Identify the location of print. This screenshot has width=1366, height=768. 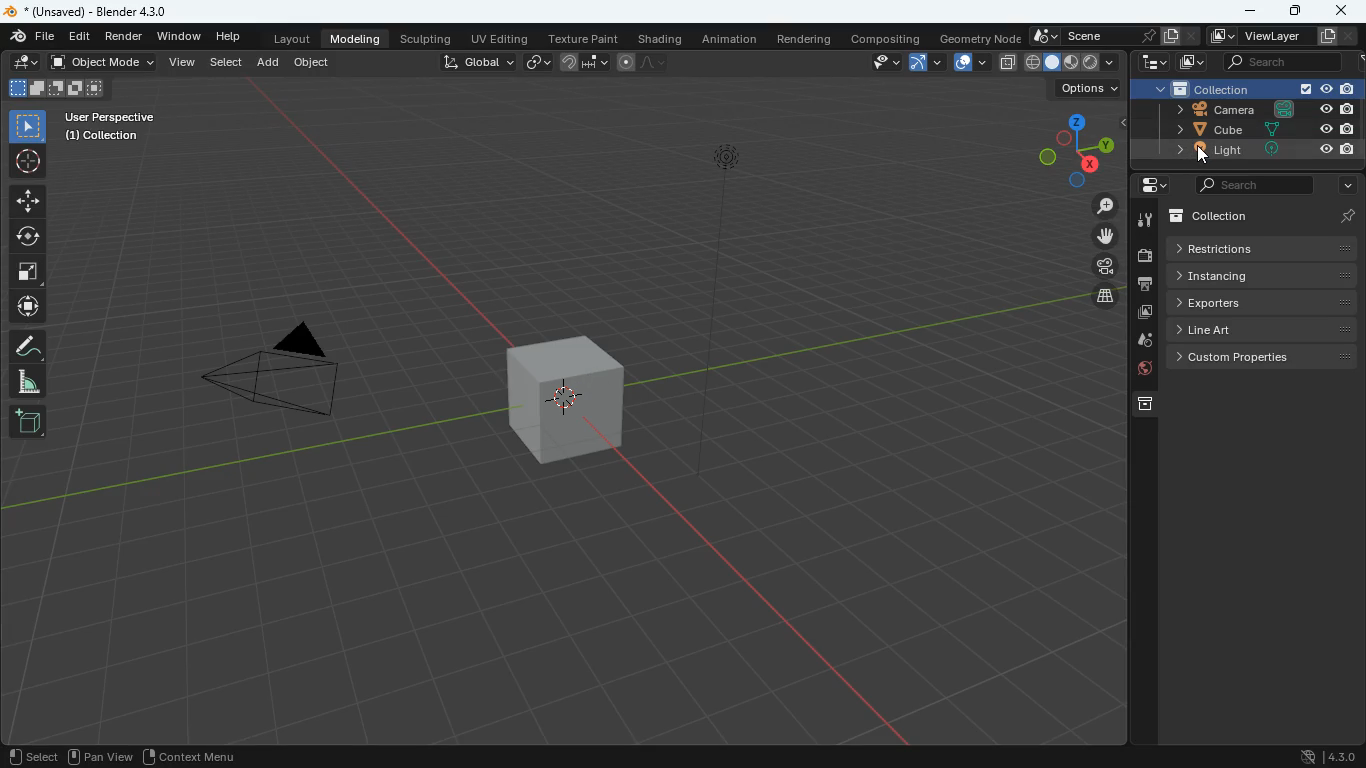
(1147, 286).